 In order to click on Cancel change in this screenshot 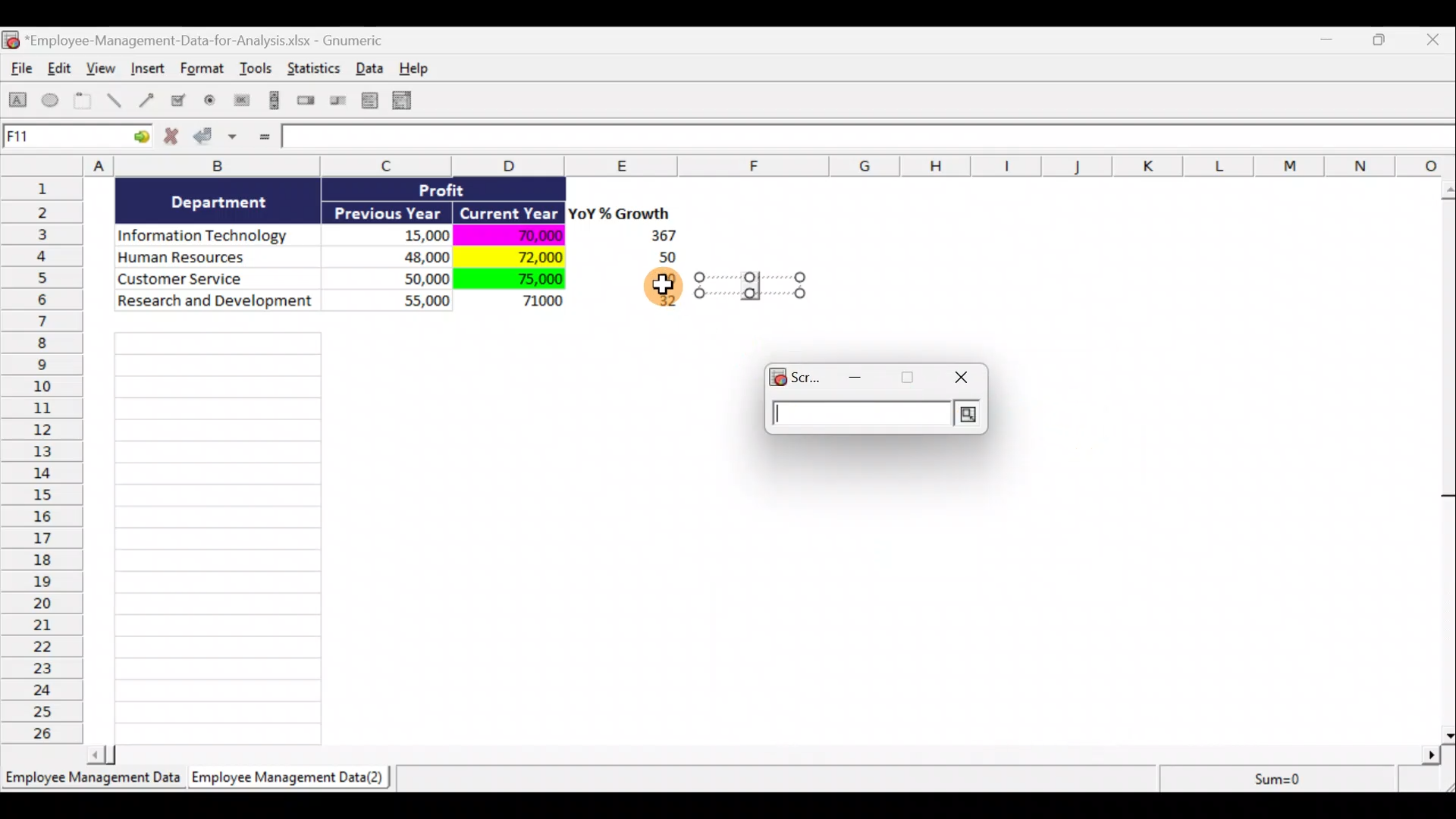, I will do `click(176, 140)`.